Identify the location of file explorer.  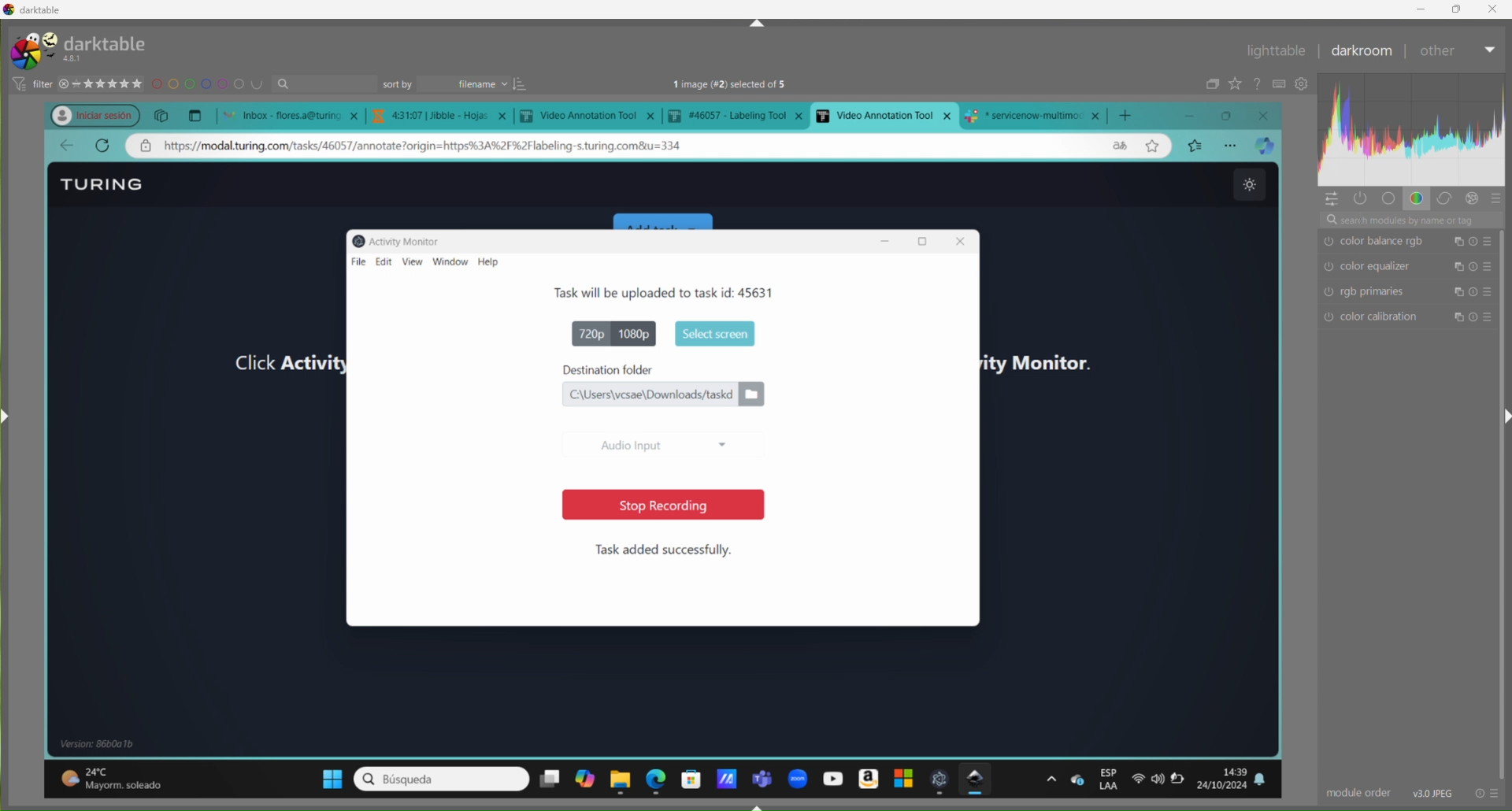
(622, 779).